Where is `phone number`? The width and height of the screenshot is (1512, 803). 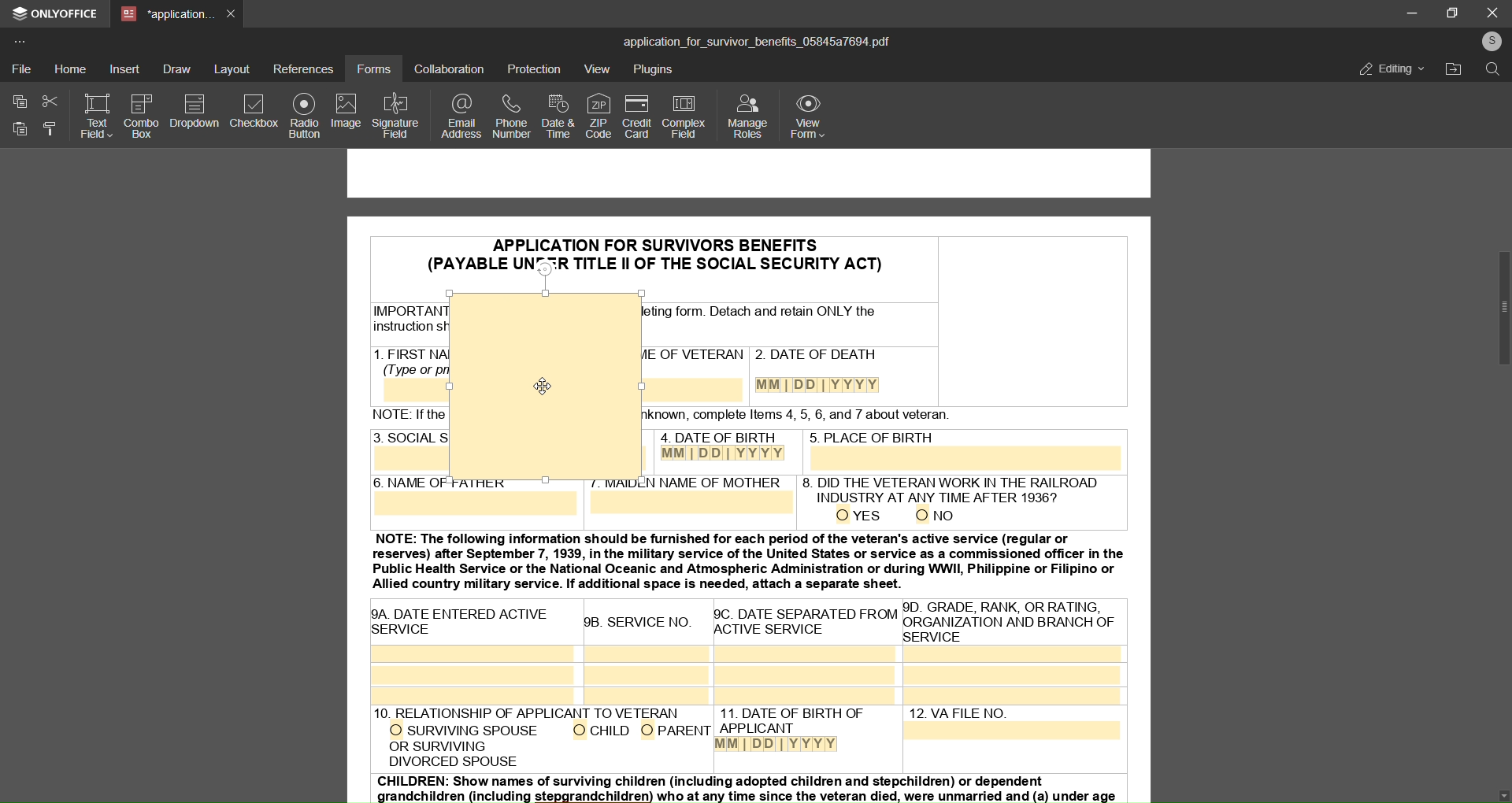 phone number is located at coordinates (509, 118).